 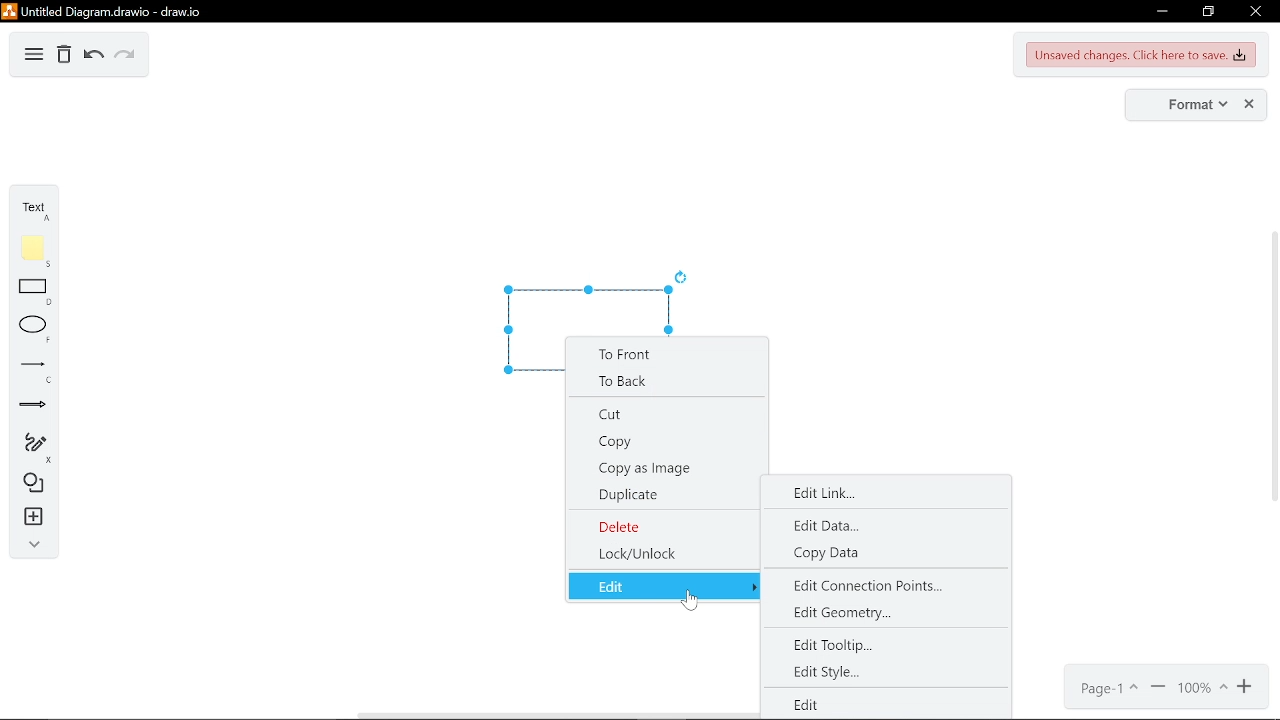 I want to click on edit, so click(x=814, y=701).